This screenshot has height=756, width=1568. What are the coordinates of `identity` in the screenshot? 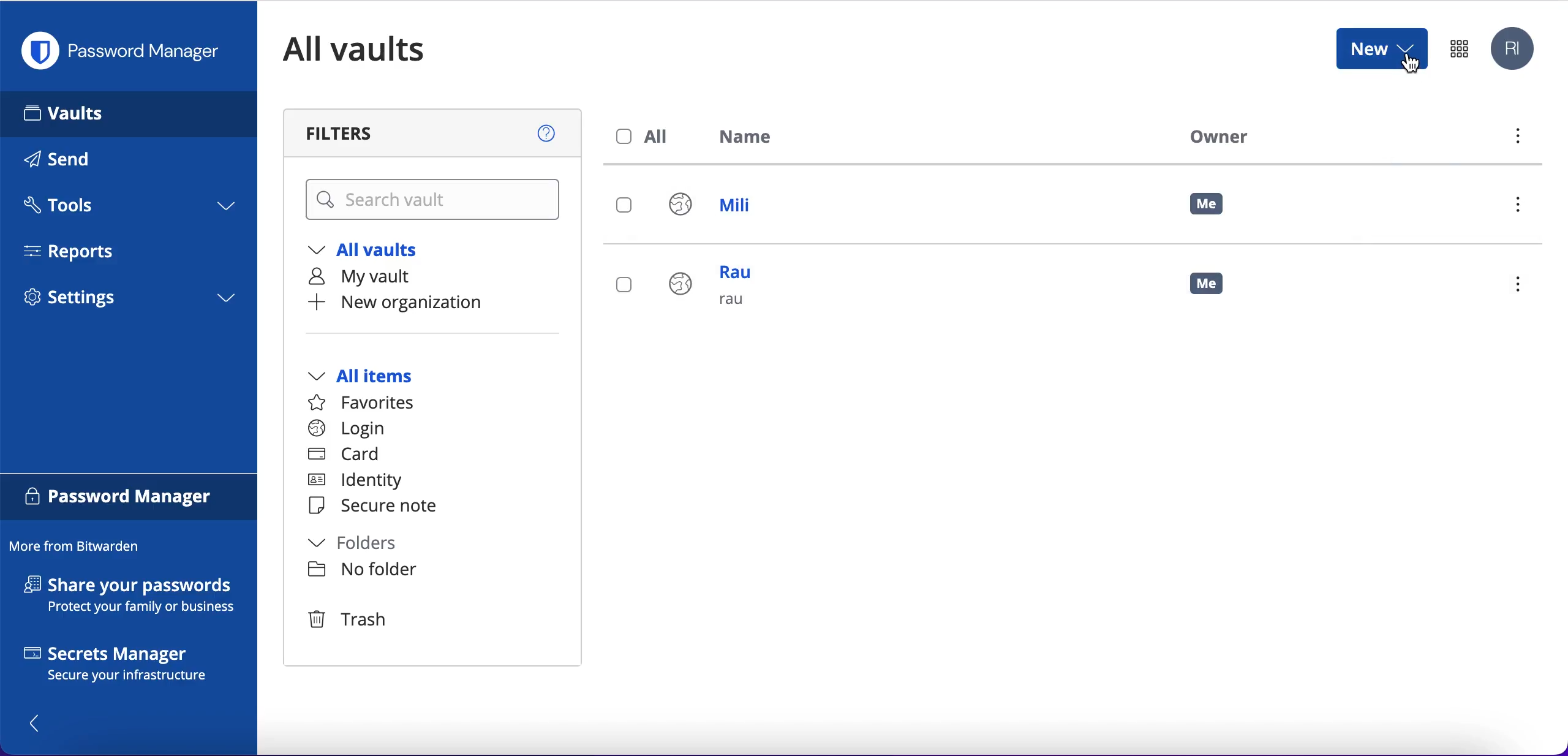 It's located at (361, 482).